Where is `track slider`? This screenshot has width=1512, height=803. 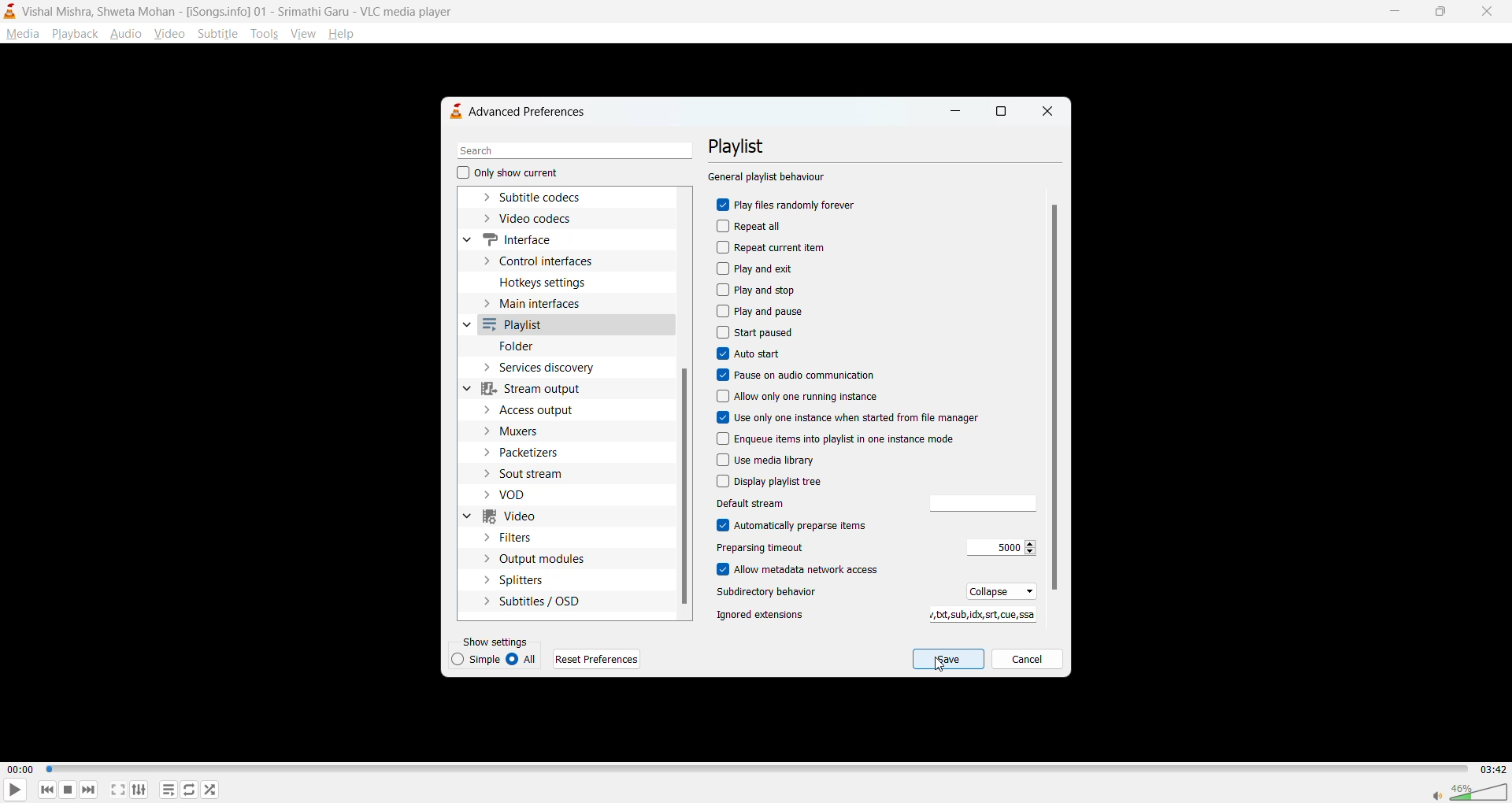
track slider is located at coordinates (754, 770).